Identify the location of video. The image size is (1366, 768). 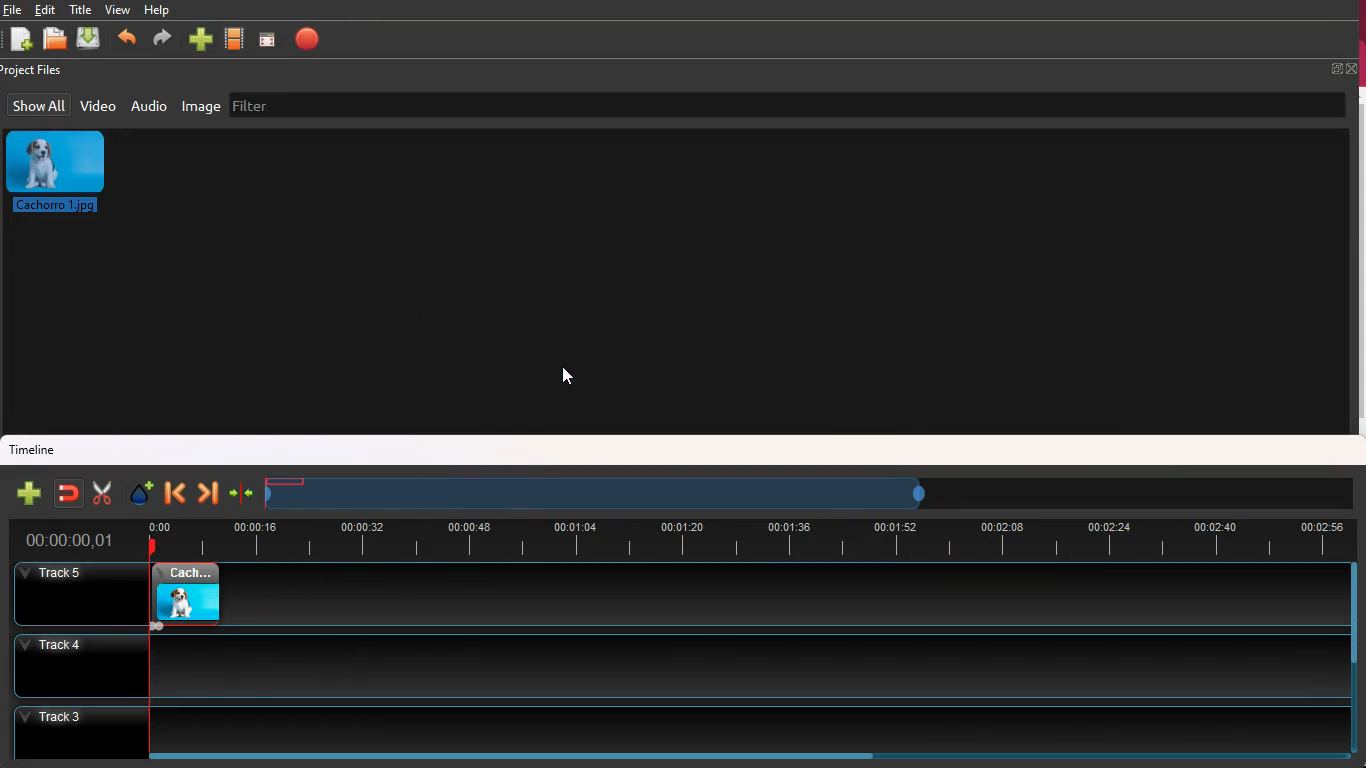
(99, 105).